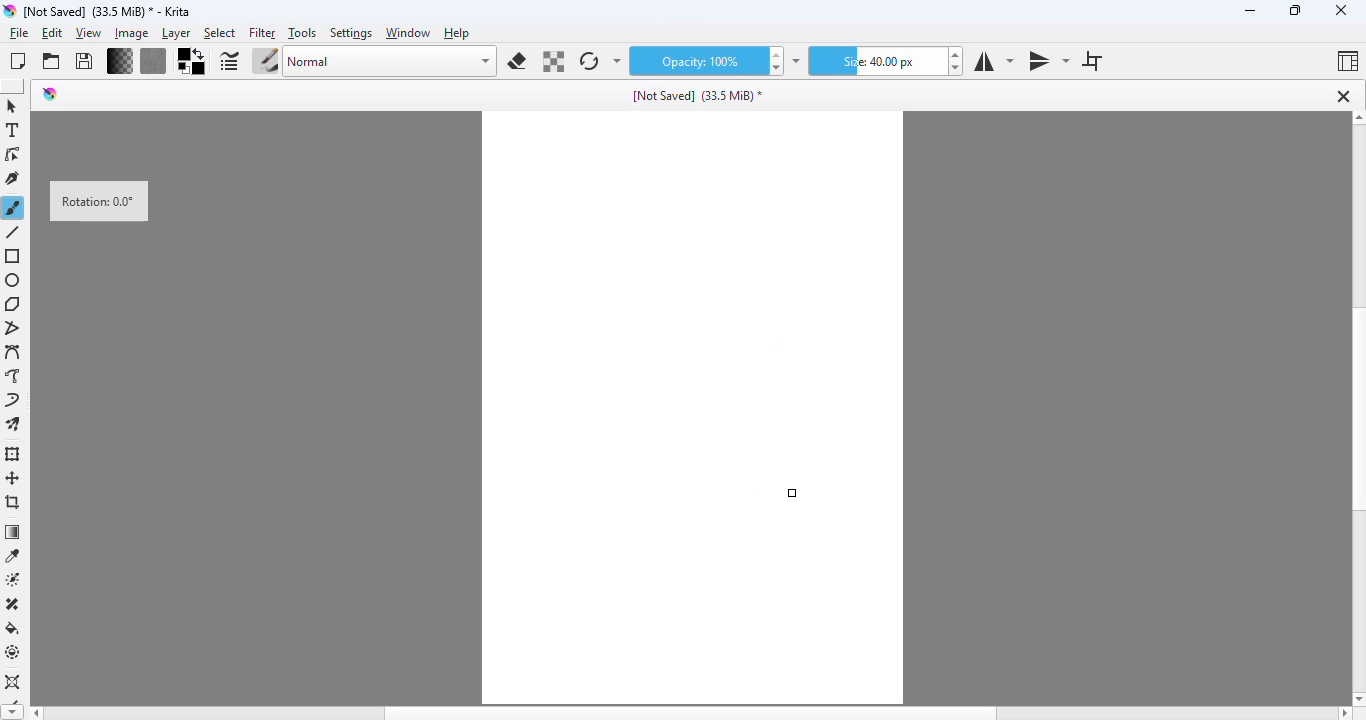 Image resolution: width=1366 pixels, height=720 pixels. I want to click on [Not Saved] (33.5 MiB) *, so click(698, 94).